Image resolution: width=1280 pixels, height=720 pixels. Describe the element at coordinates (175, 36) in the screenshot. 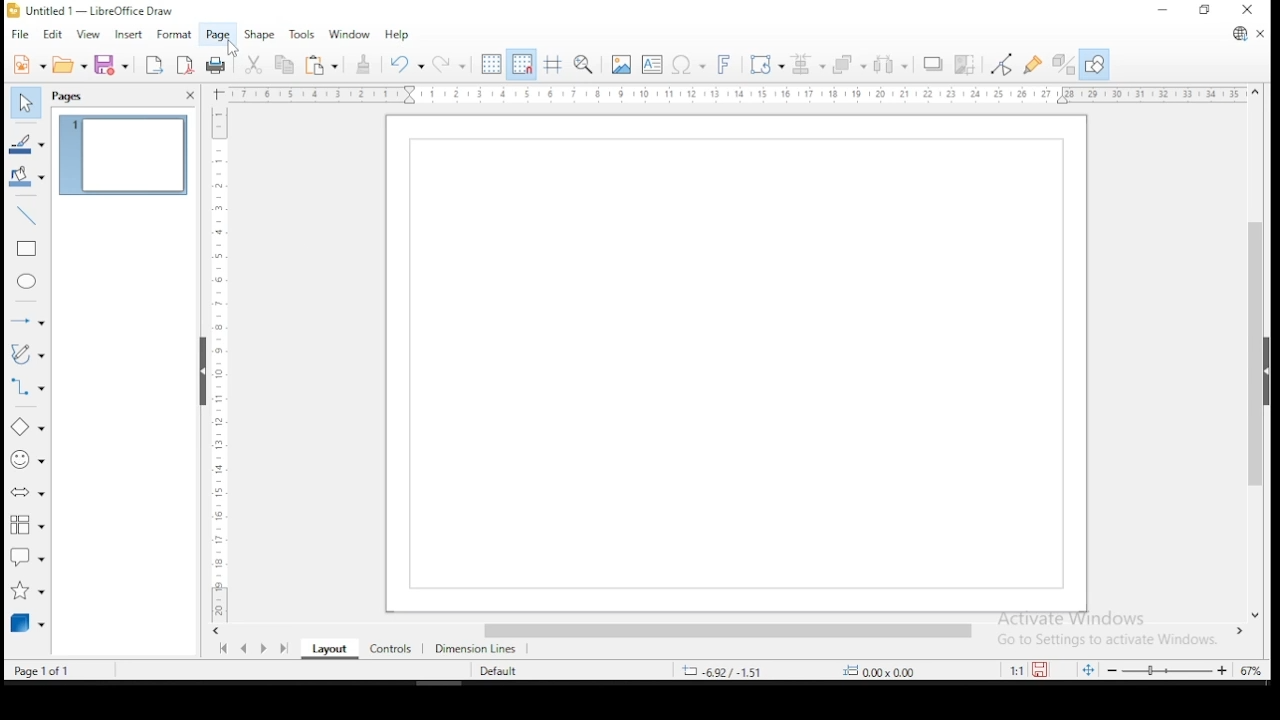

I see `format` at that location.